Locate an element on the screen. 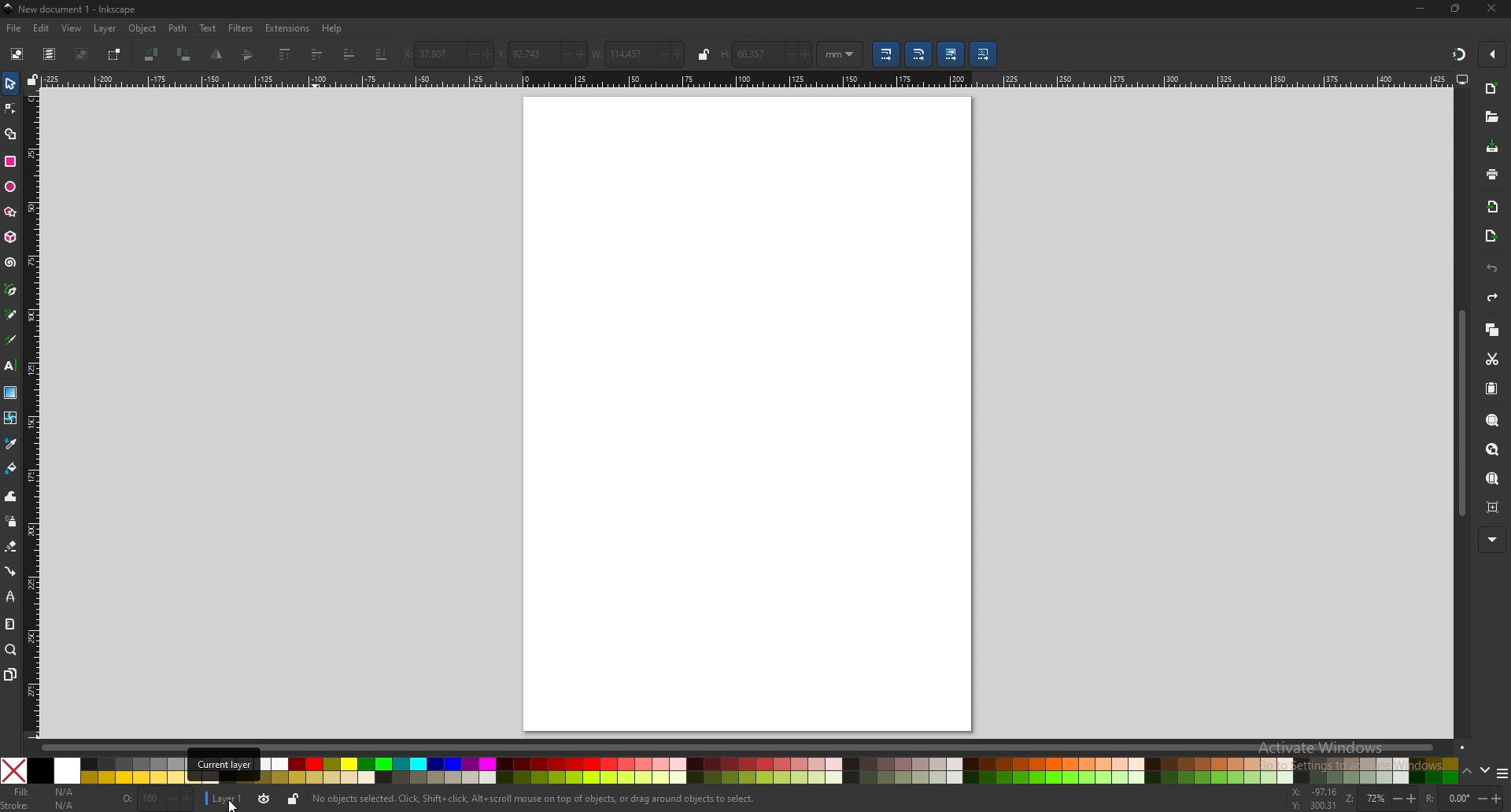 This screenshot has height=812, width=1511. flip horizontally is located at coordinates (249, 55).